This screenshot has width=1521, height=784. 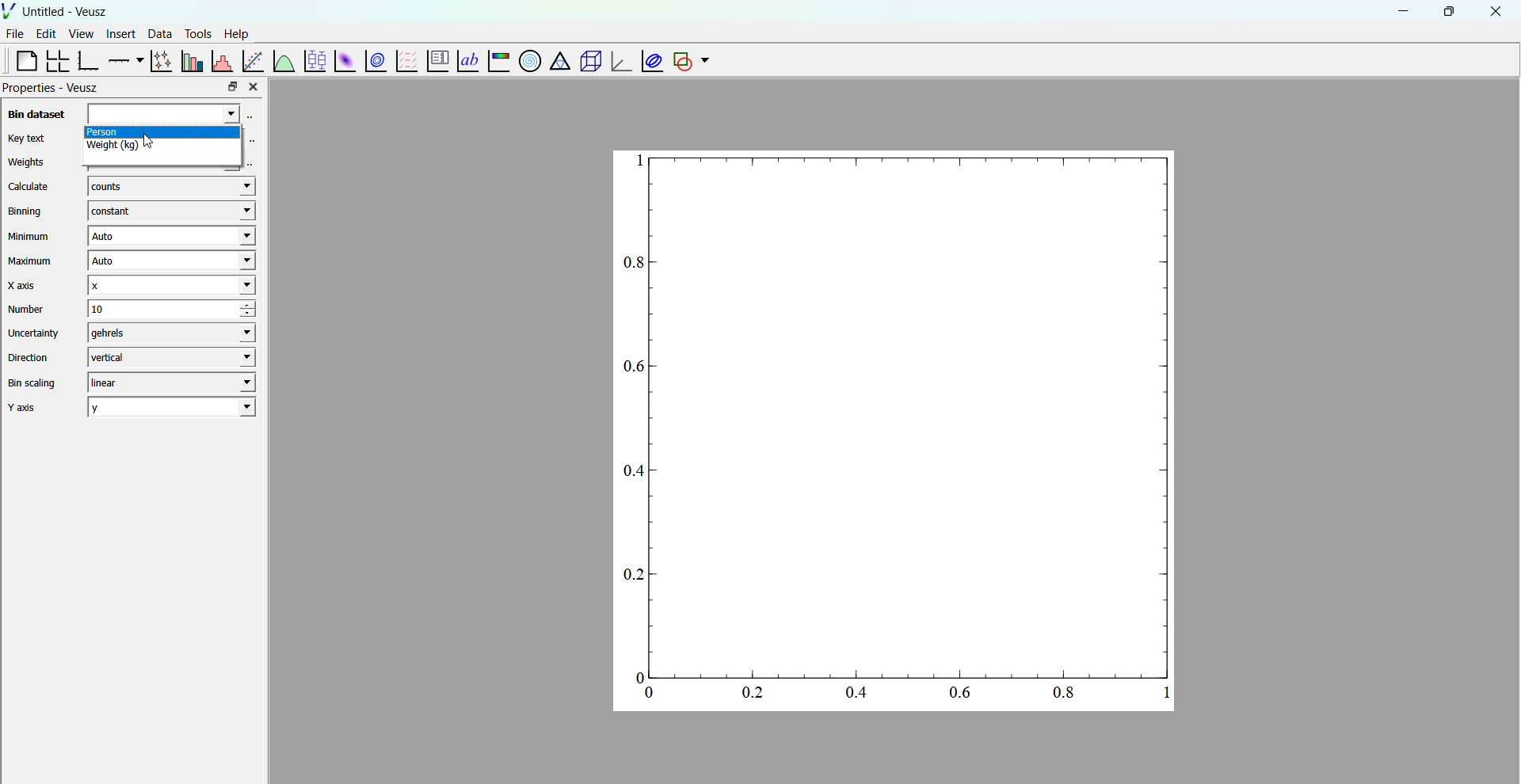 What do you see at coordinates (26, 285) in the screenshot?
I see `X axis` at bounding box center [26, 285].